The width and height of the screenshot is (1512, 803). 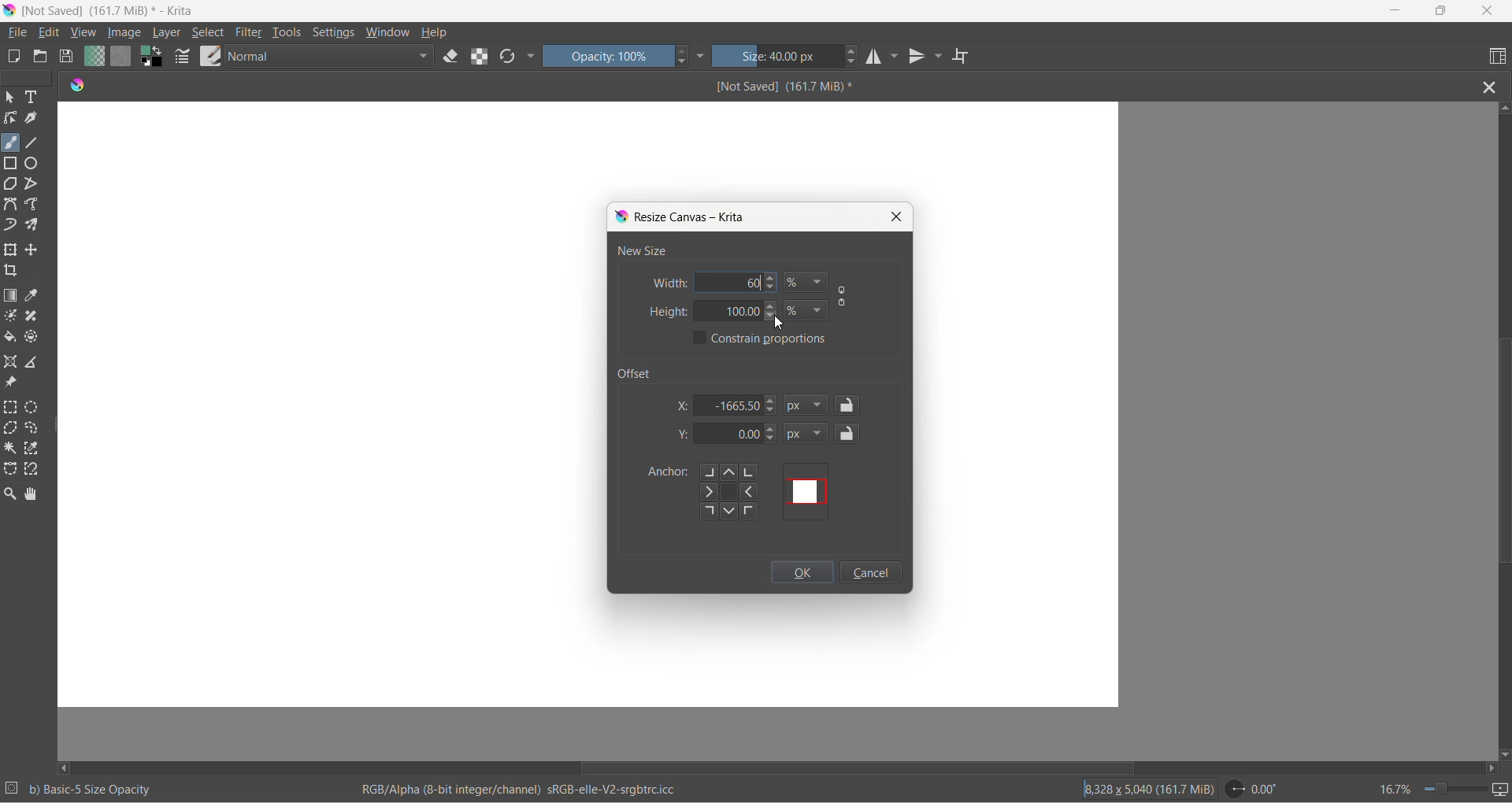 I want to click on close, so click(x=1488, y=12).